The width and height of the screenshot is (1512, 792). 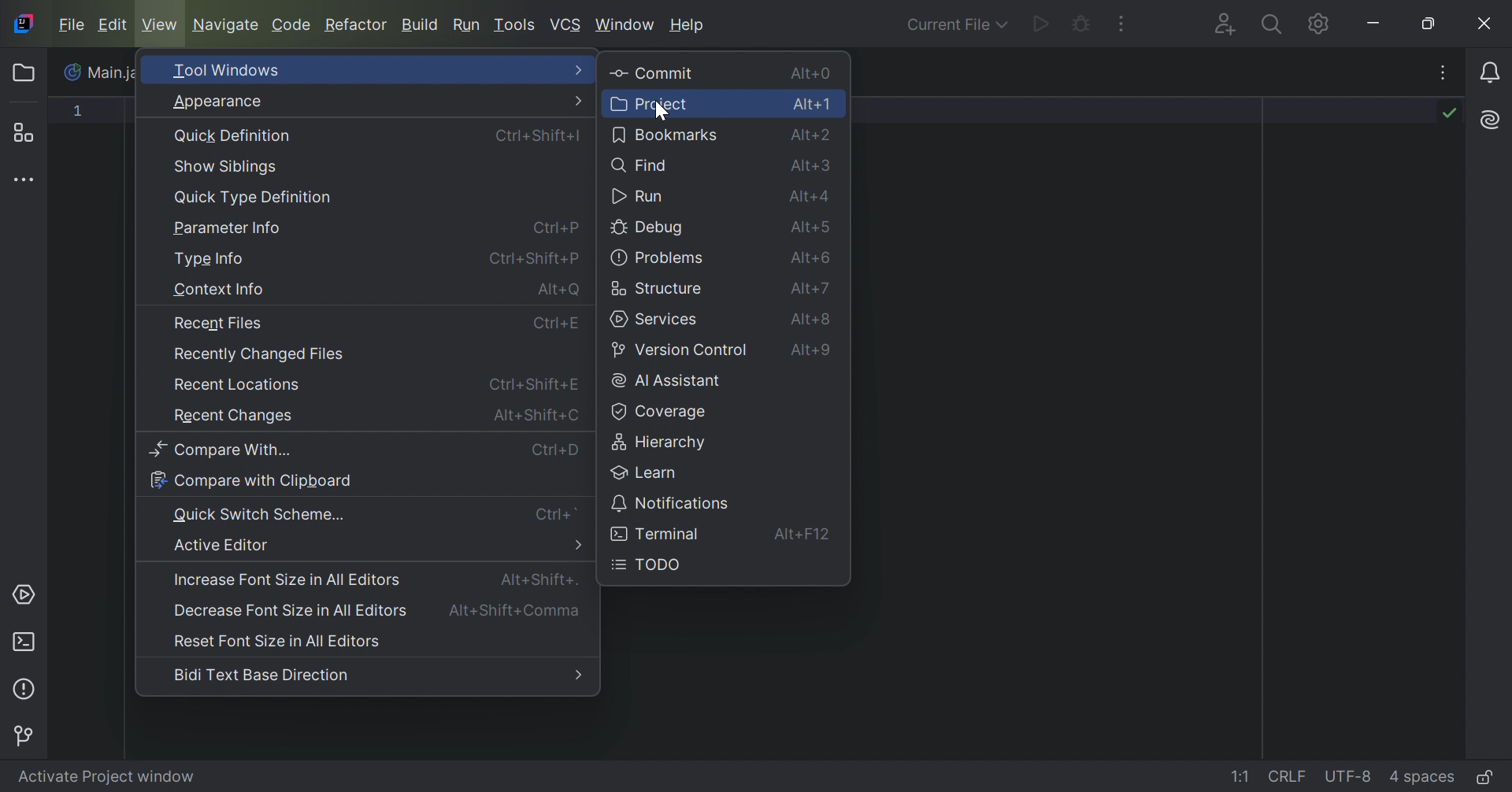 What do you see at coordinates (665, 134) in the screenshot?
I see `Bookmarks` at bounding box center [665, 134].